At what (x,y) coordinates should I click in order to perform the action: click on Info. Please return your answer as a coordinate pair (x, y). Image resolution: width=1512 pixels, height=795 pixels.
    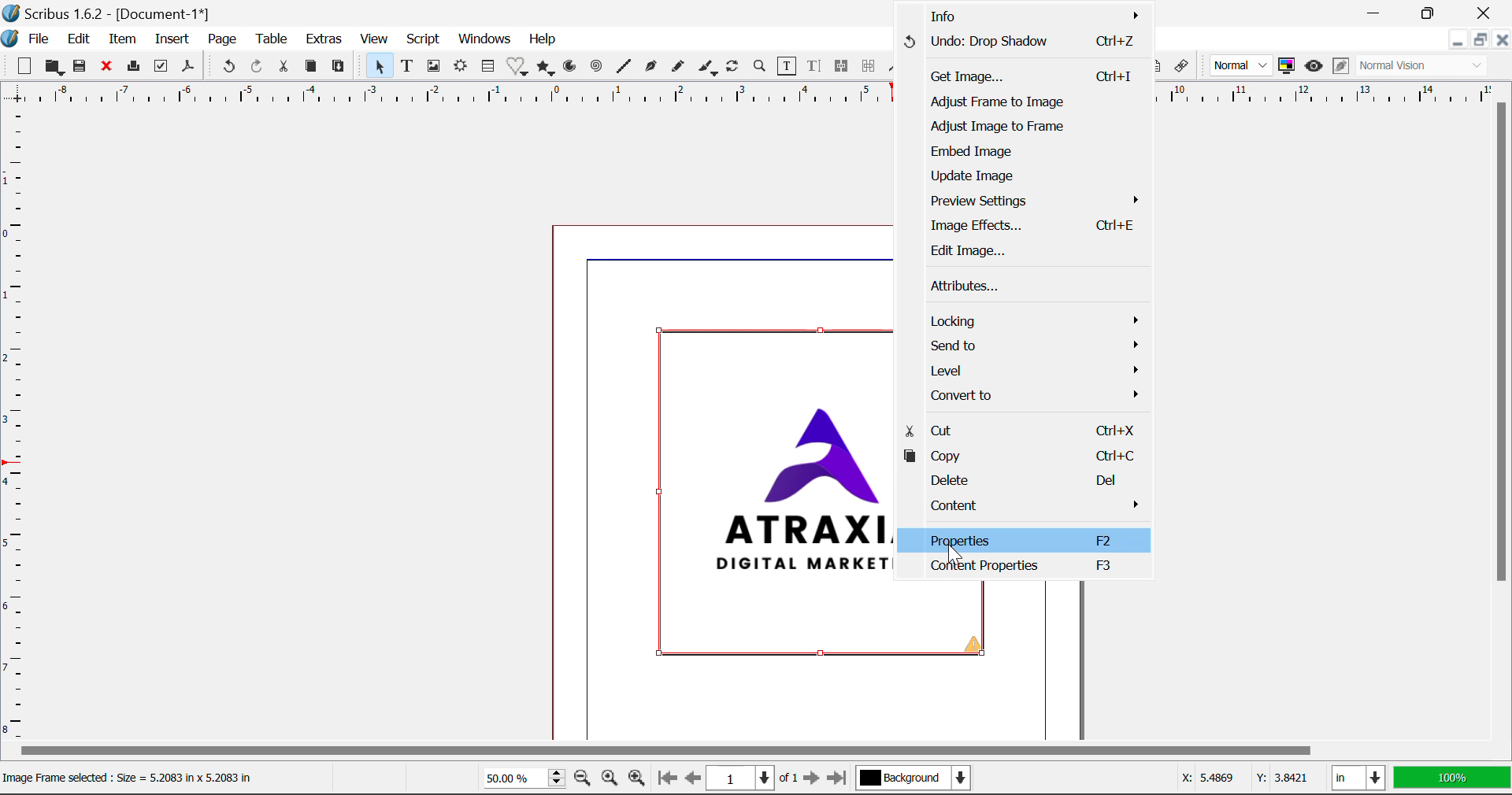
    Looking at the image, I should click on (1021, 17).